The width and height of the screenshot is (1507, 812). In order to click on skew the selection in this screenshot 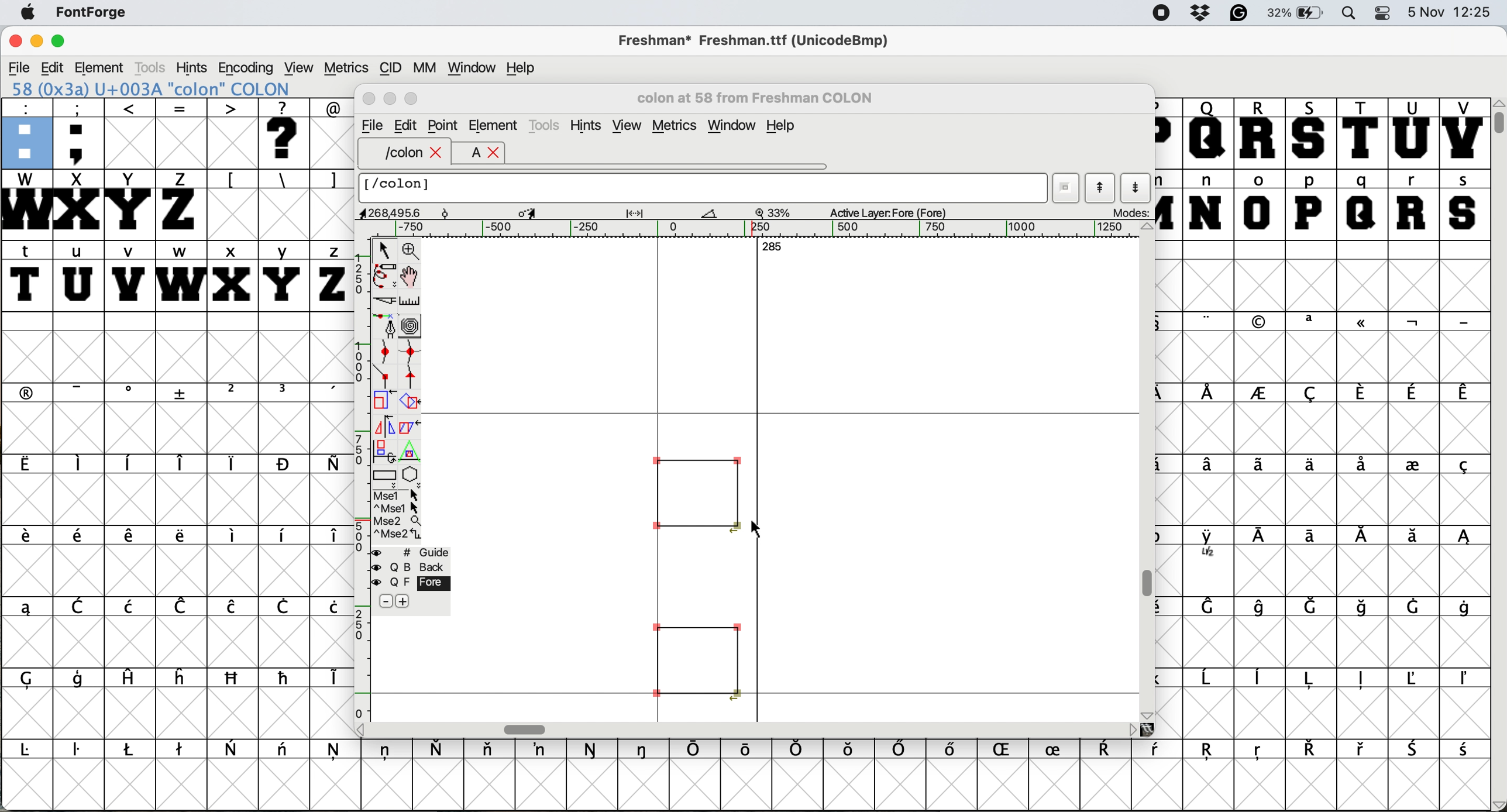, I will do `click(410, 426)`.